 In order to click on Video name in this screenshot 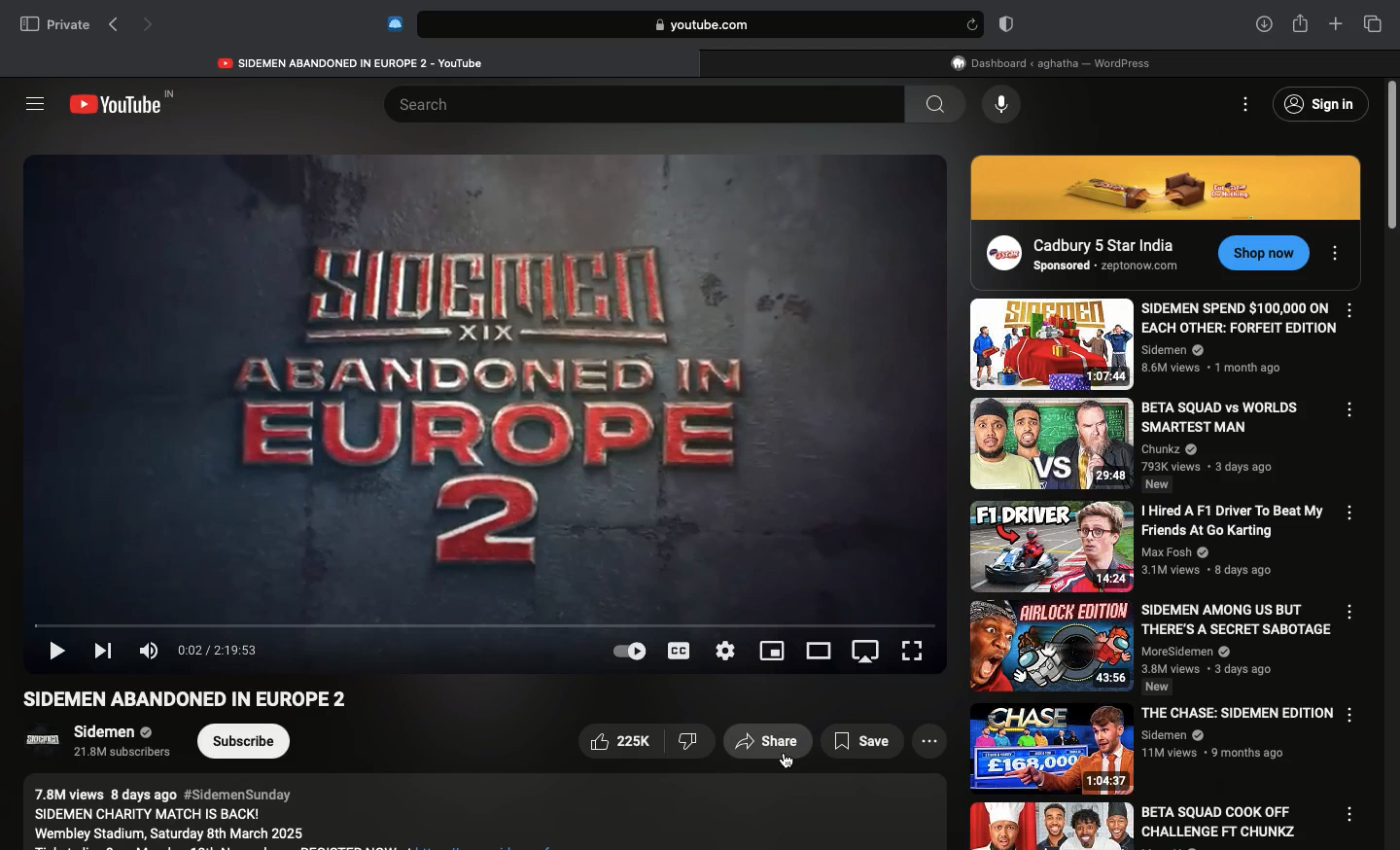, I will do `click(1153, 344)`.